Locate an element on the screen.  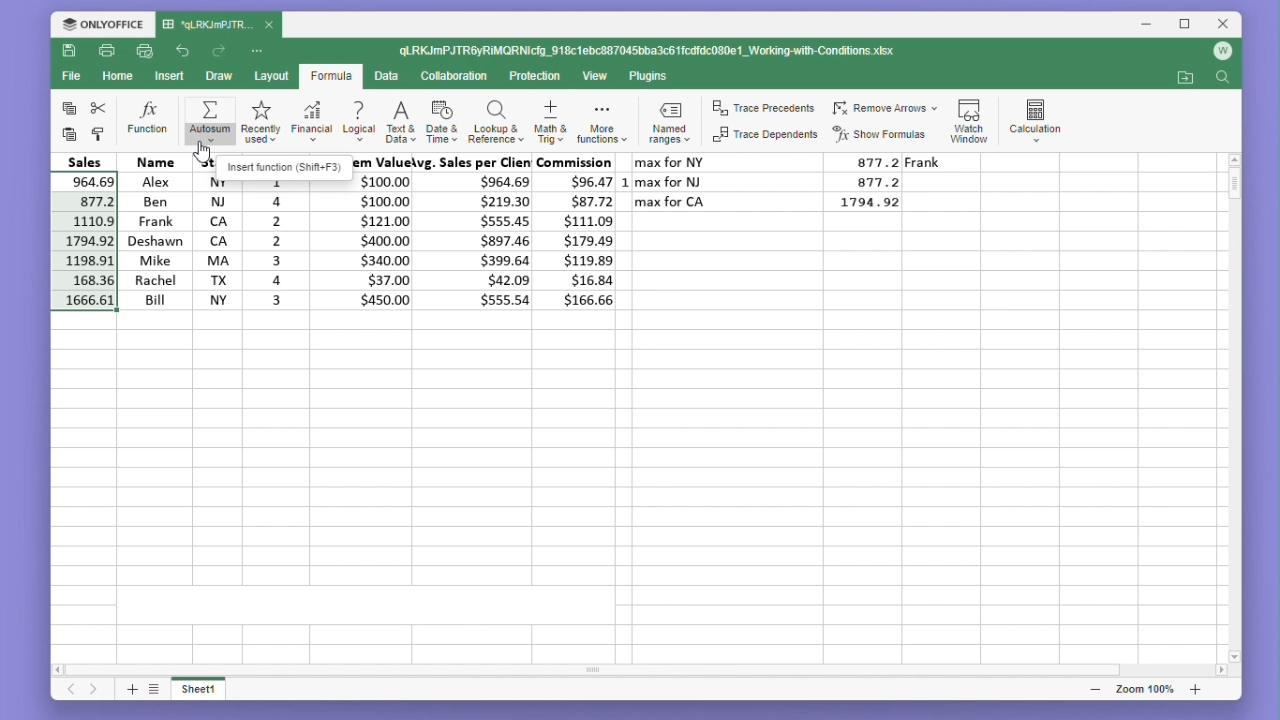
Print file is located at coordinates (106, 50).